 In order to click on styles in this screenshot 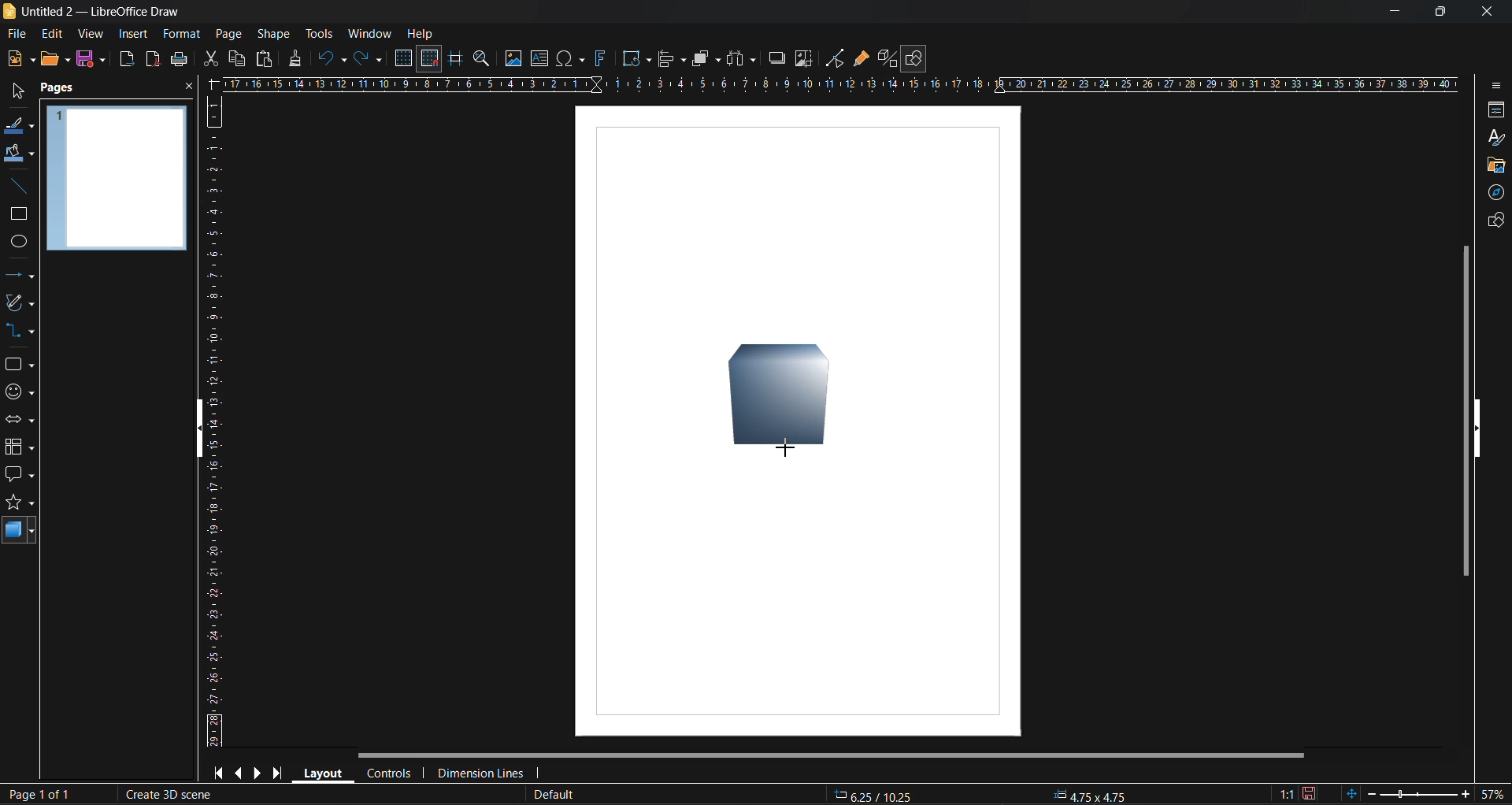, I will do `click(1494, 137)`.